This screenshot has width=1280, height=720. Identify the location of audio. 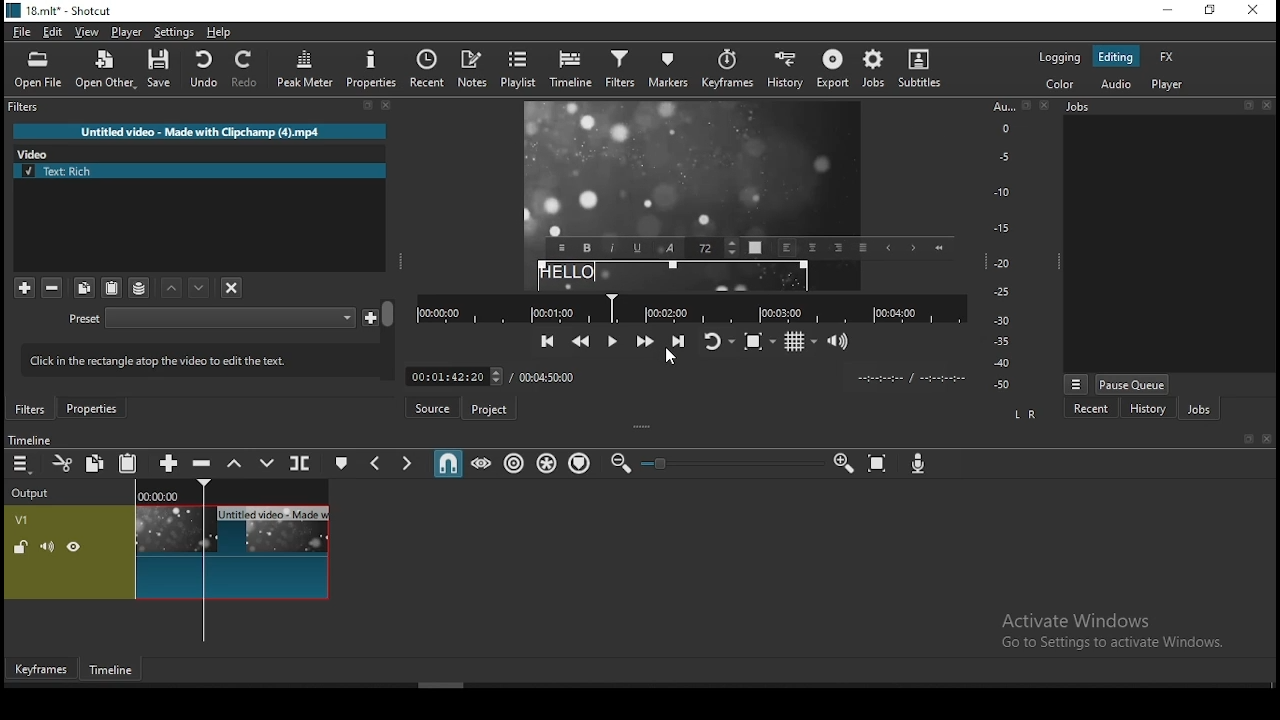
(1115, 85).